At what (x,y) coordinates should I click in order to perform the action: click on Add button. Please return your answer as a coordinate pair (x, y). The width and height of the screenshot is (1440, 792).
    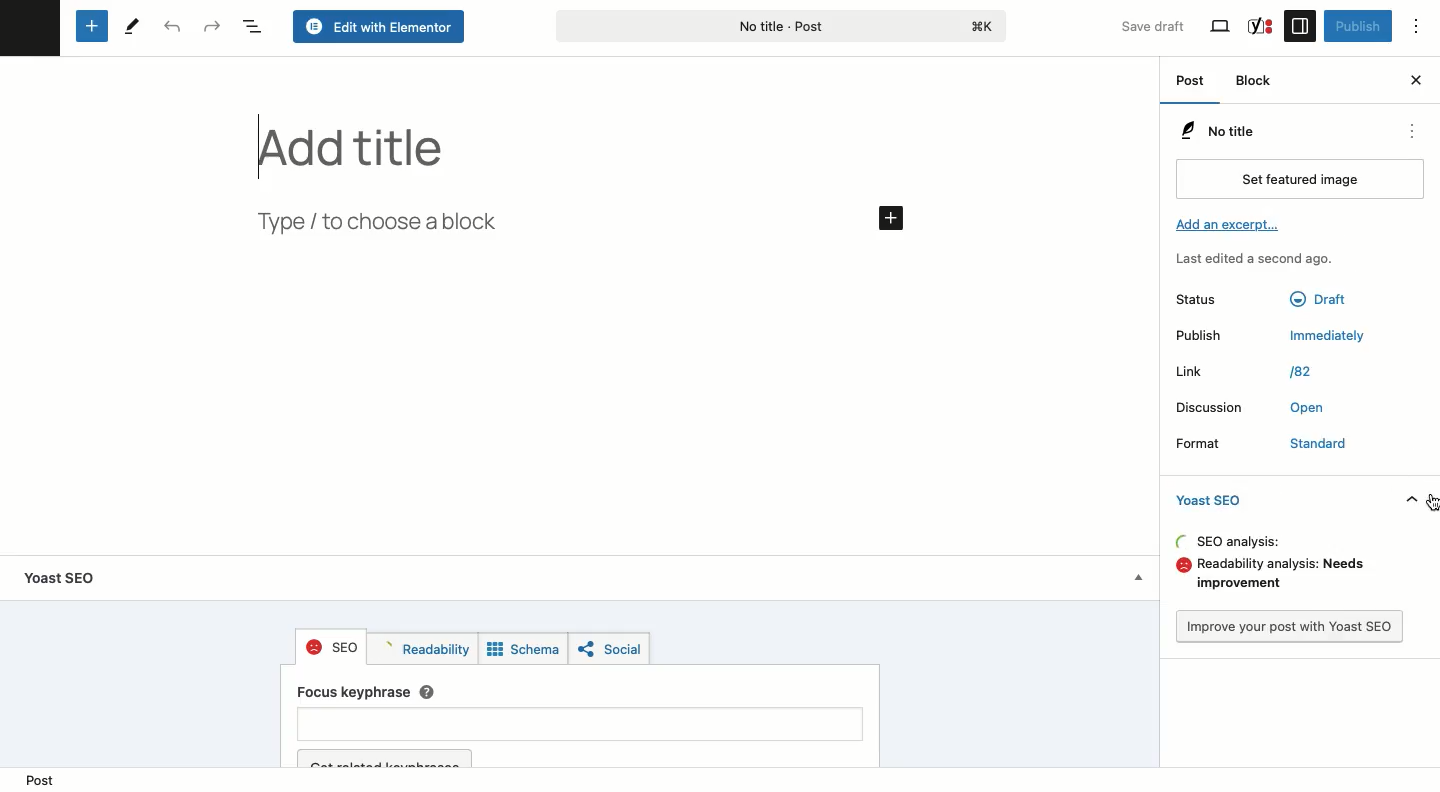
    Looking at the image, I should click on (890, 217).